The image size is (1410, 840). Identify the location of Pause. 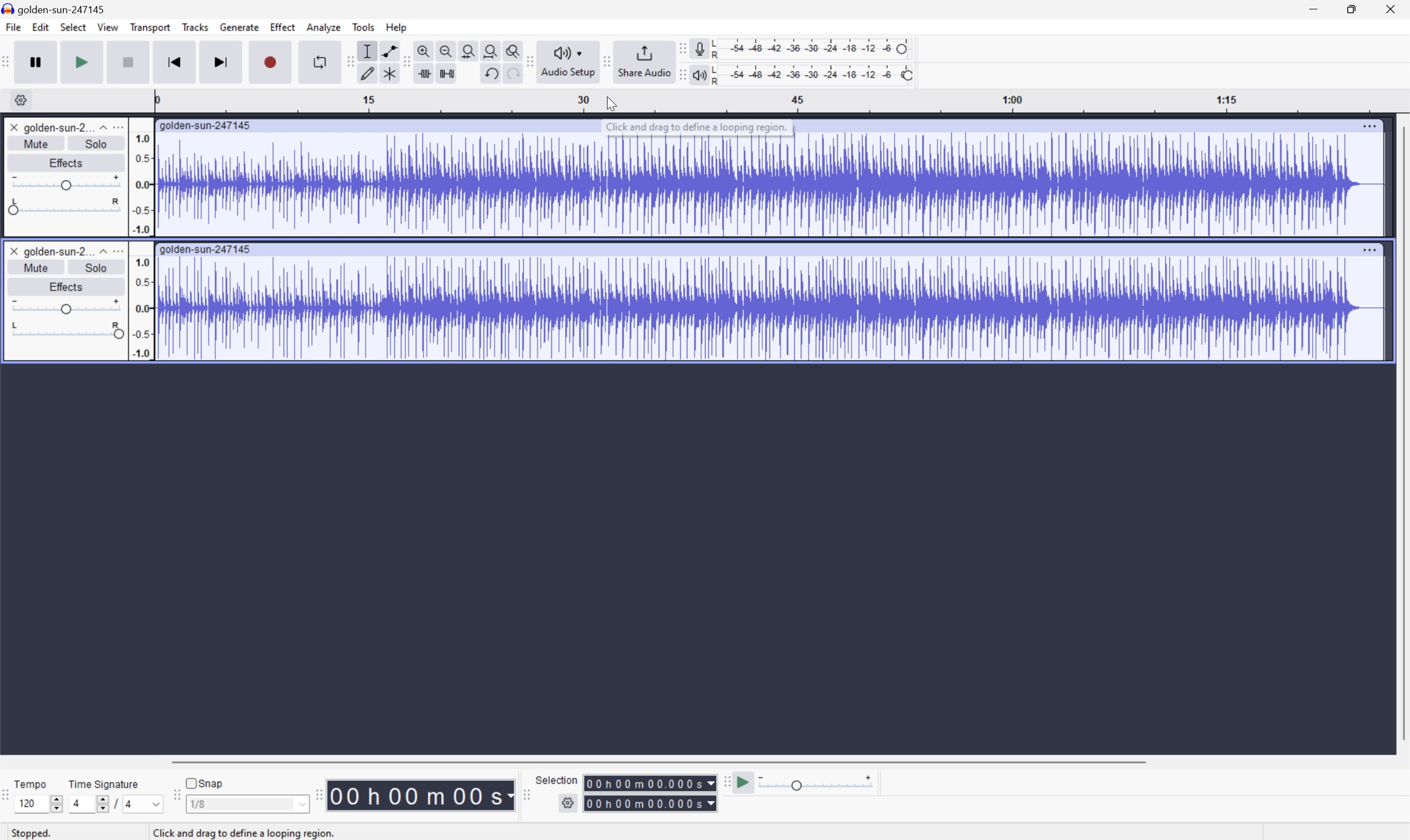
(41, 66).